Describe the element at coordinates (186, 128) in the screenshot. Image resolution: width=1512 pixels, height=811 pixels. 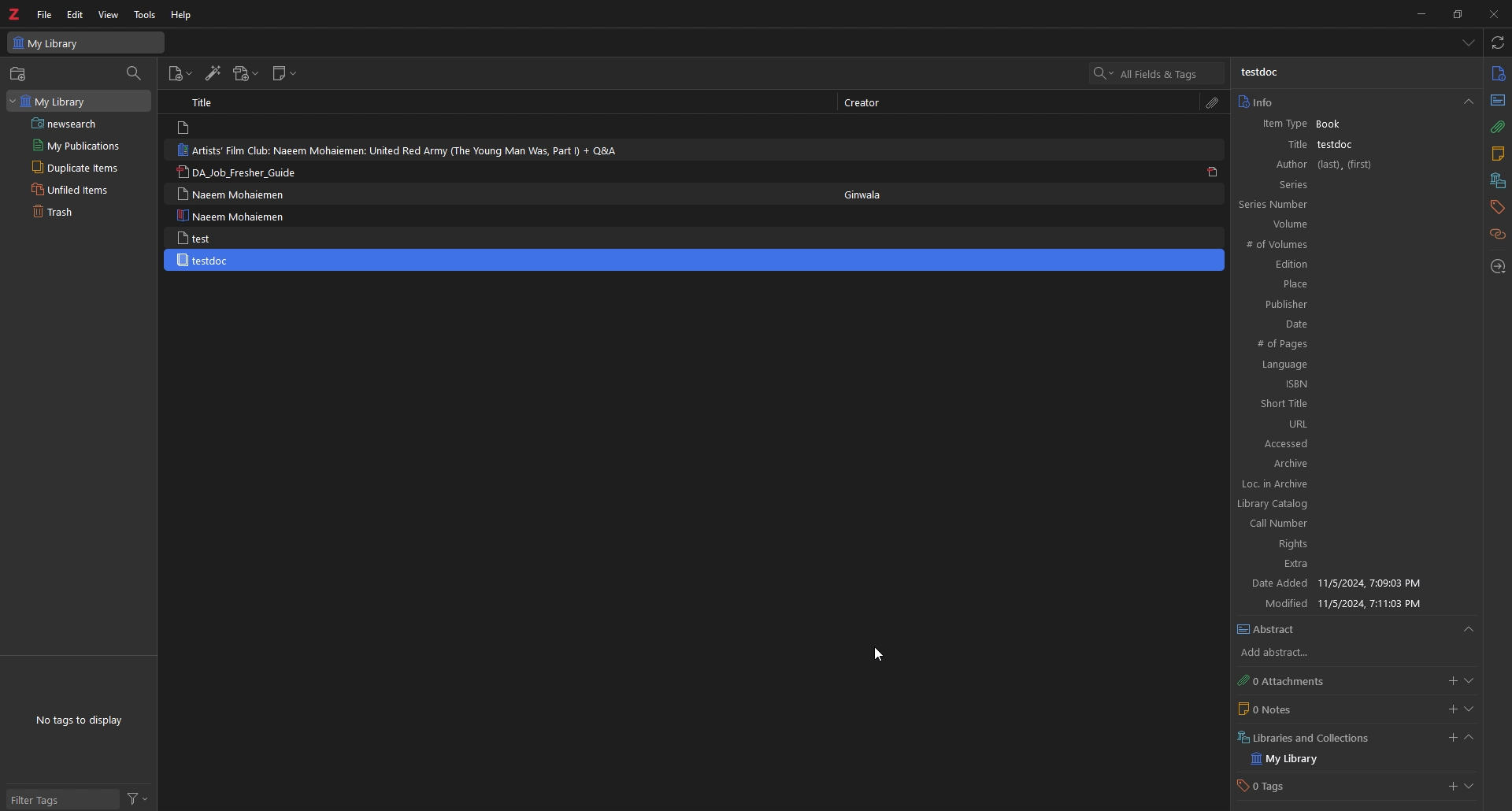
I see `file logo` at that location.